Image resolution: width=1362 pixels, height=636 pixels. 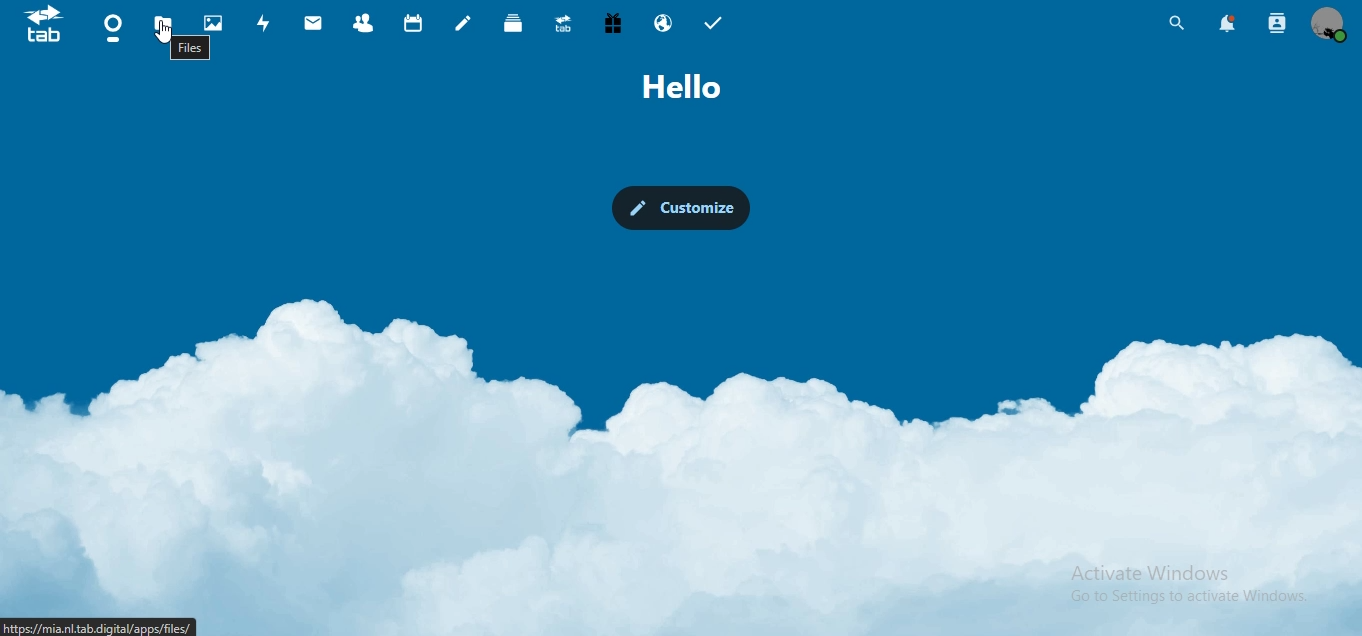 What do you see at coordinates (216, 24) in the screenshot?
I see `photos` at bounding box center [216, 24].